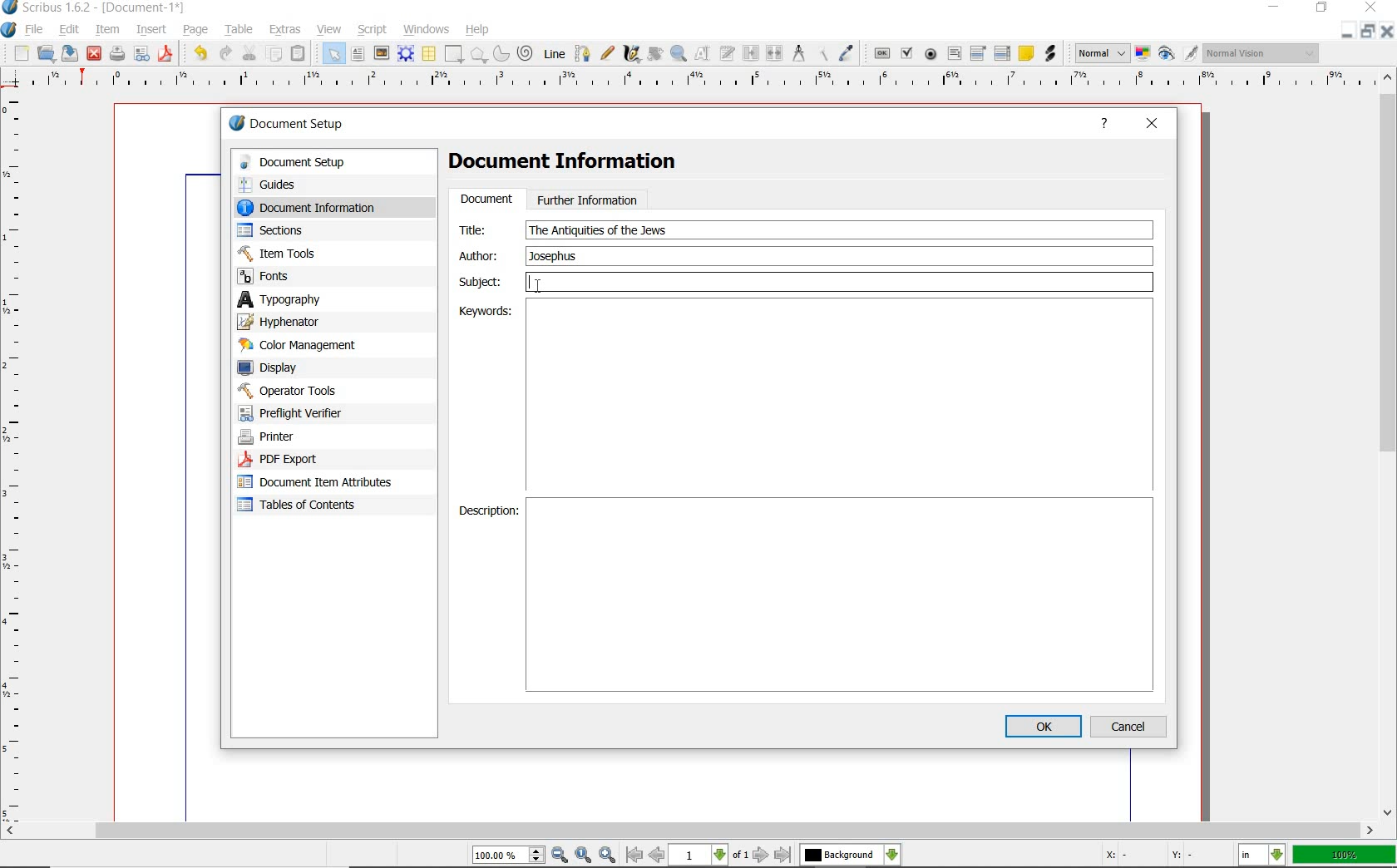 This screenshot has width=1397, height=868. What do you see at coordinates (1153, 125) in the screenshot?
I see `close` at bounding box center [1153, 125].